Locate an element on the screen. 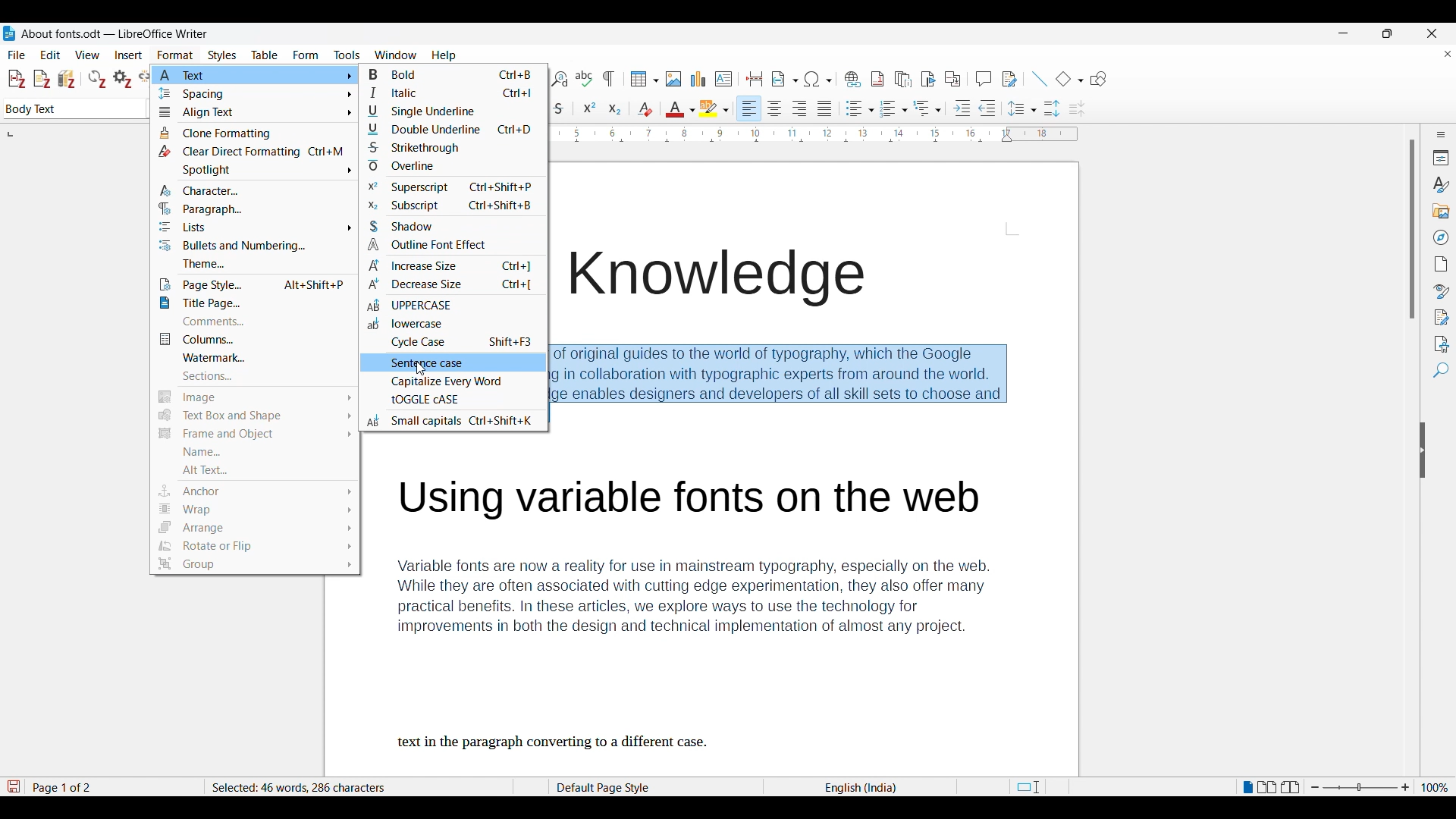 Image resolution: width=1456 pixels, height=819 pixels. spotlight is located at coordinates (253, 171).